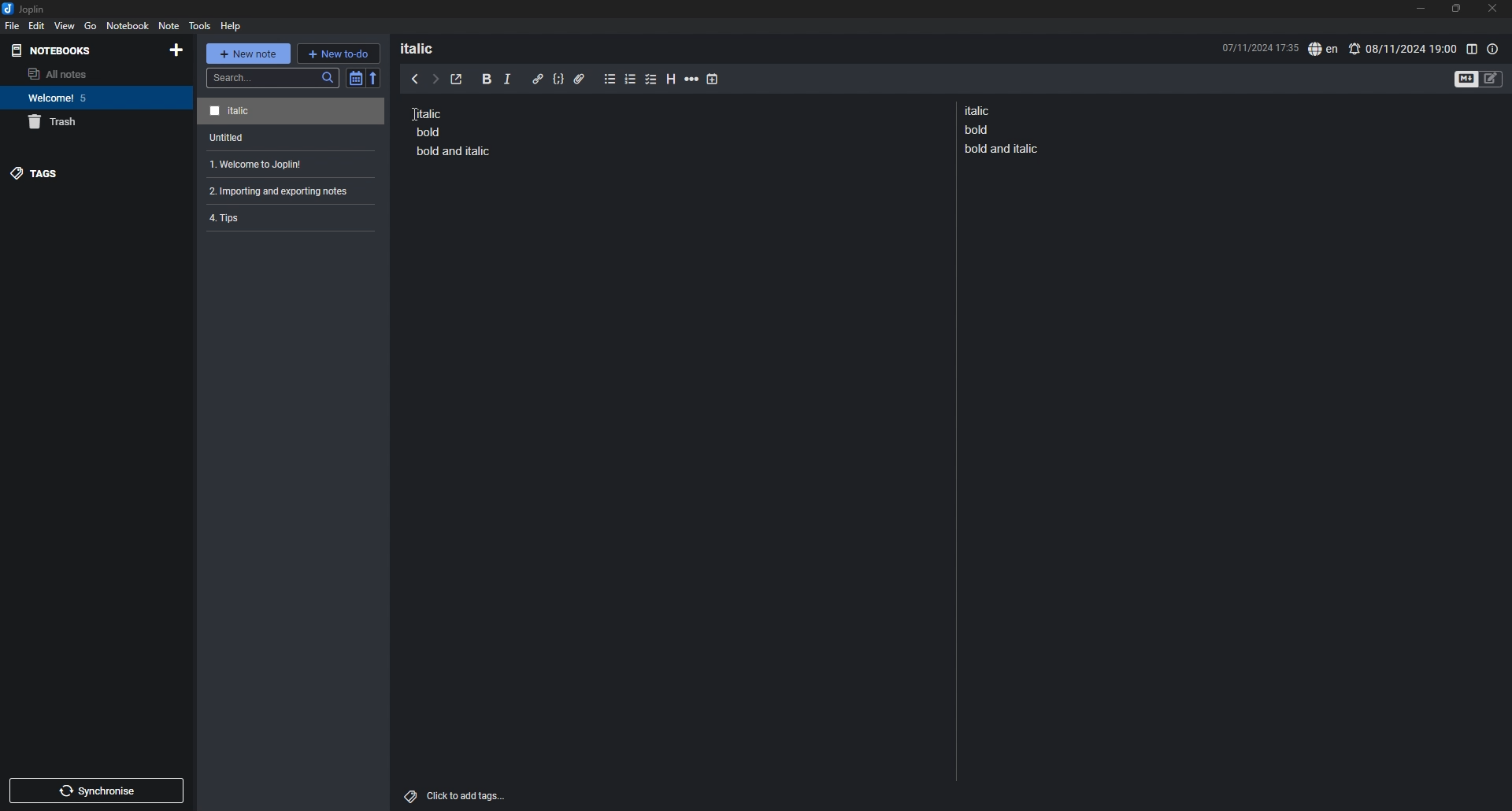  I want to click on reverse sort order, so click(374, 77).